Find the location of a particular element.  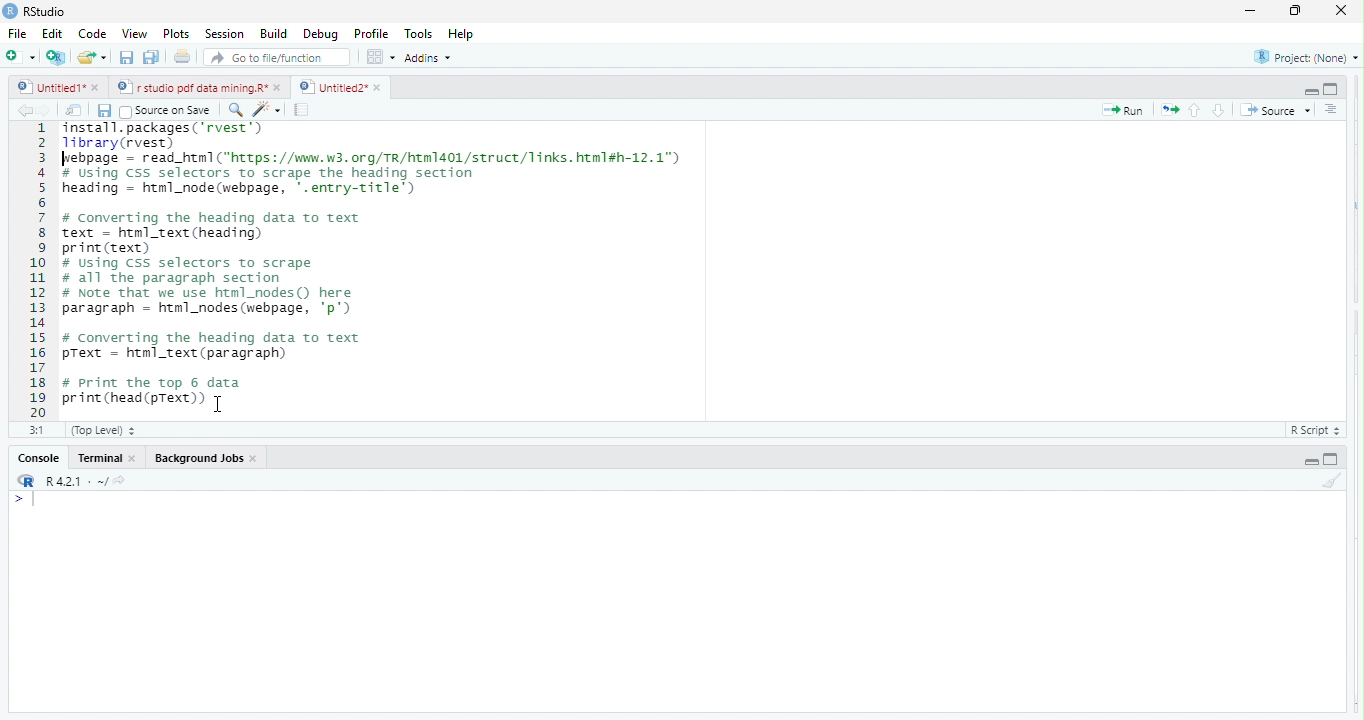

close is located at coordinates (280, 87).